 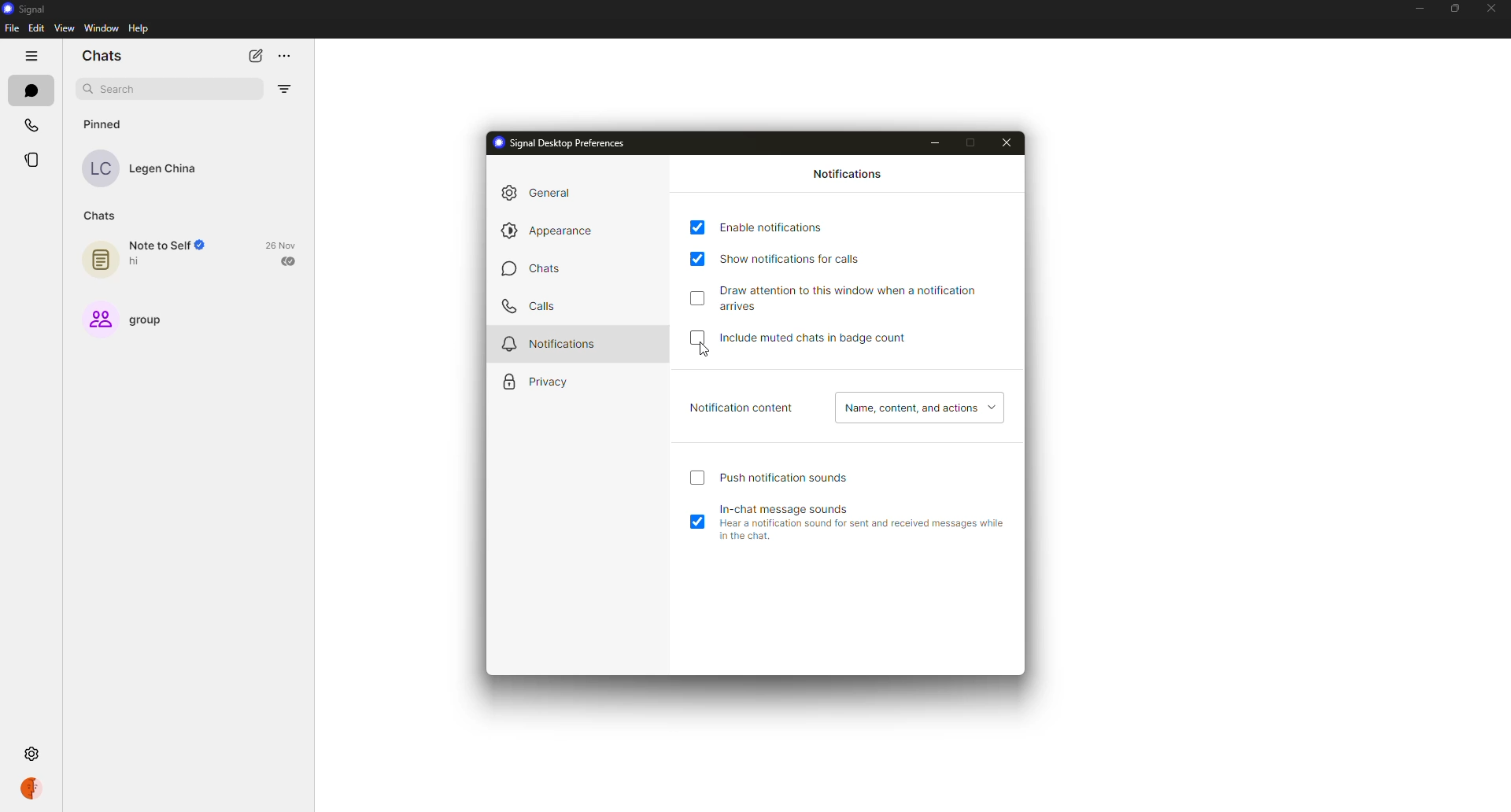 I want to click on quick settings, so click(x=35, y=789).